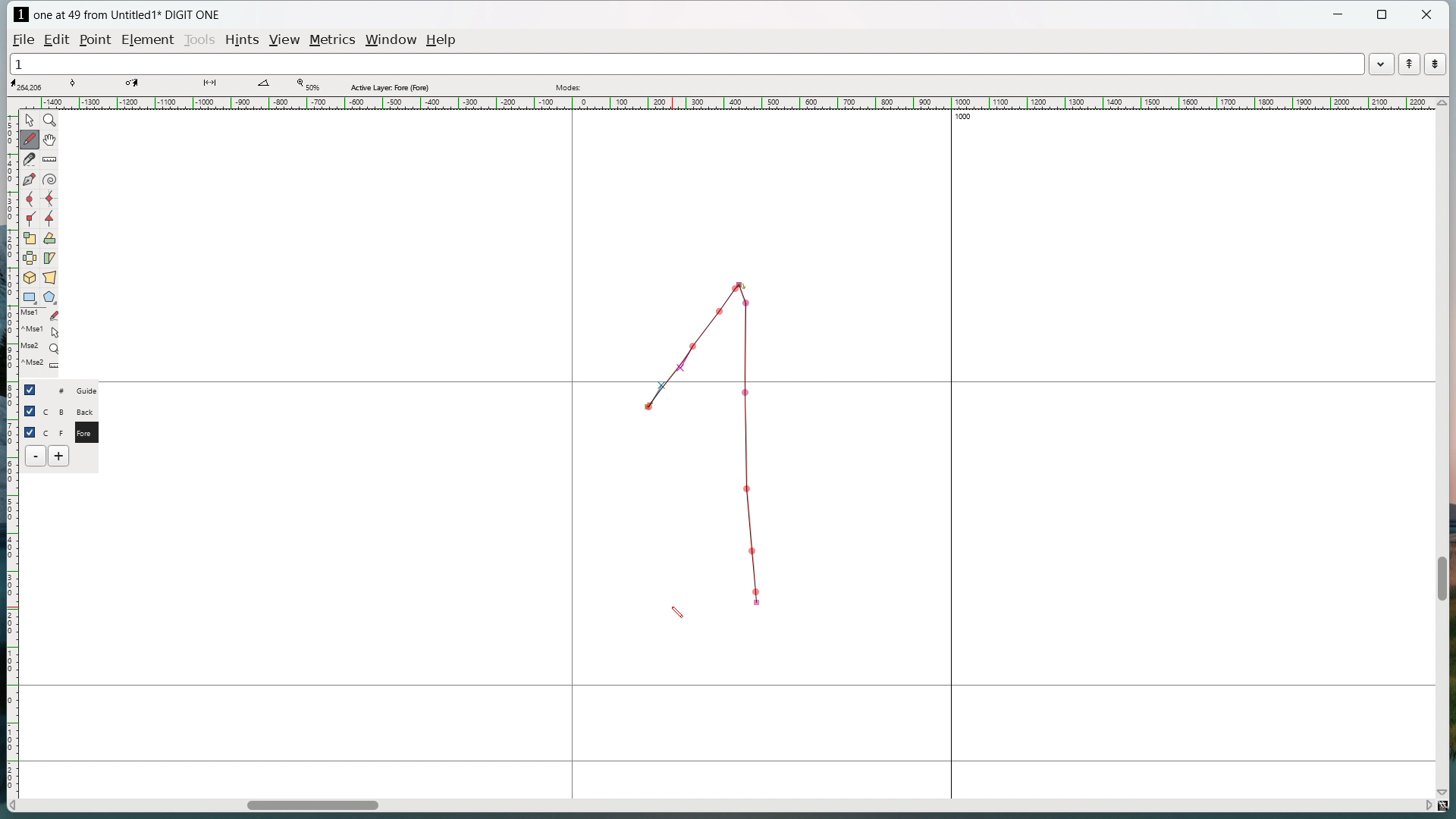  What do you see at coordinates (71, 409) in the screenshot?
I see `C B Back` at bounding box center [71, 409].